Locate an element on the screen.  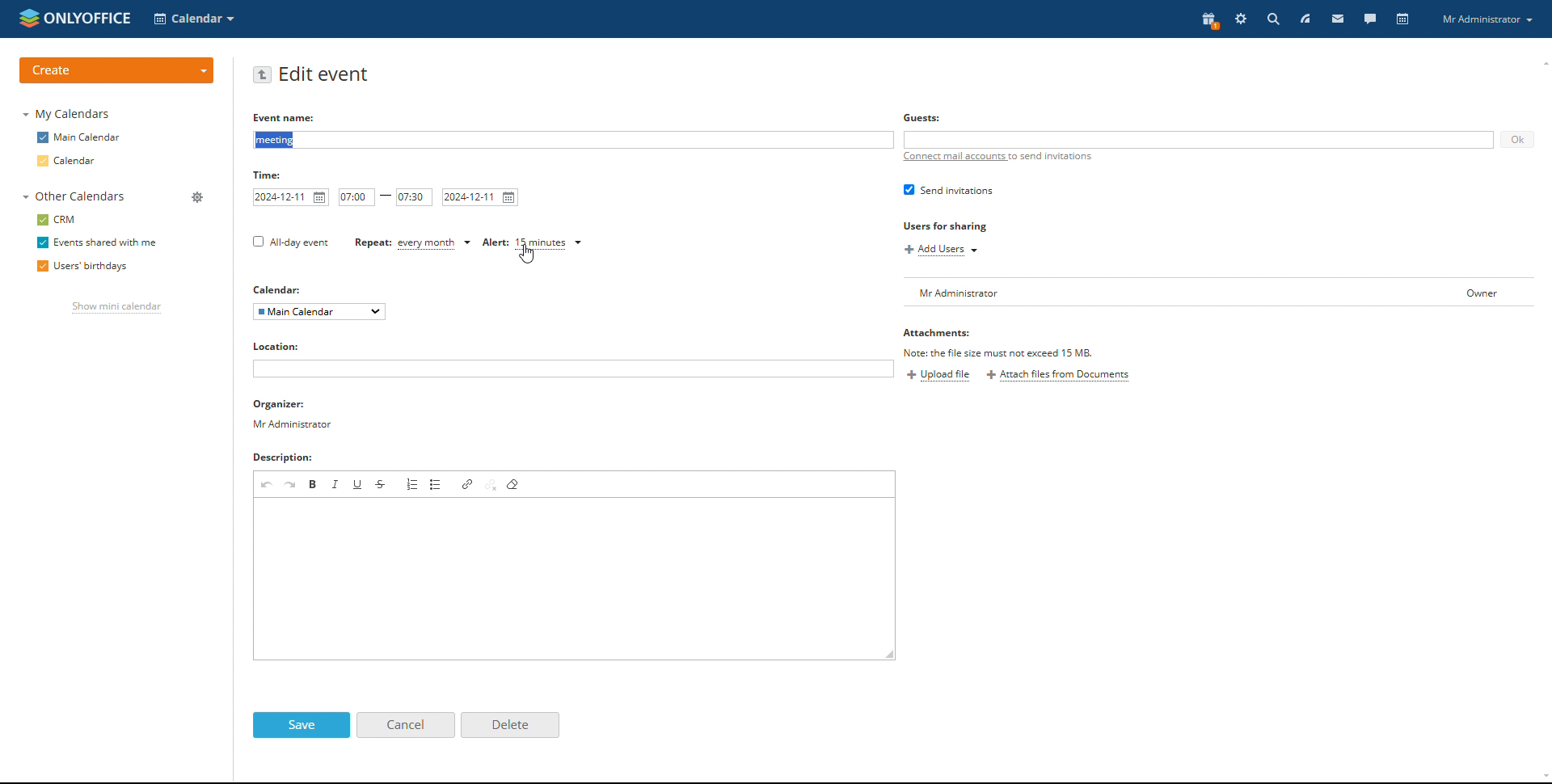
other calendars is located at coordinates (78, 197).